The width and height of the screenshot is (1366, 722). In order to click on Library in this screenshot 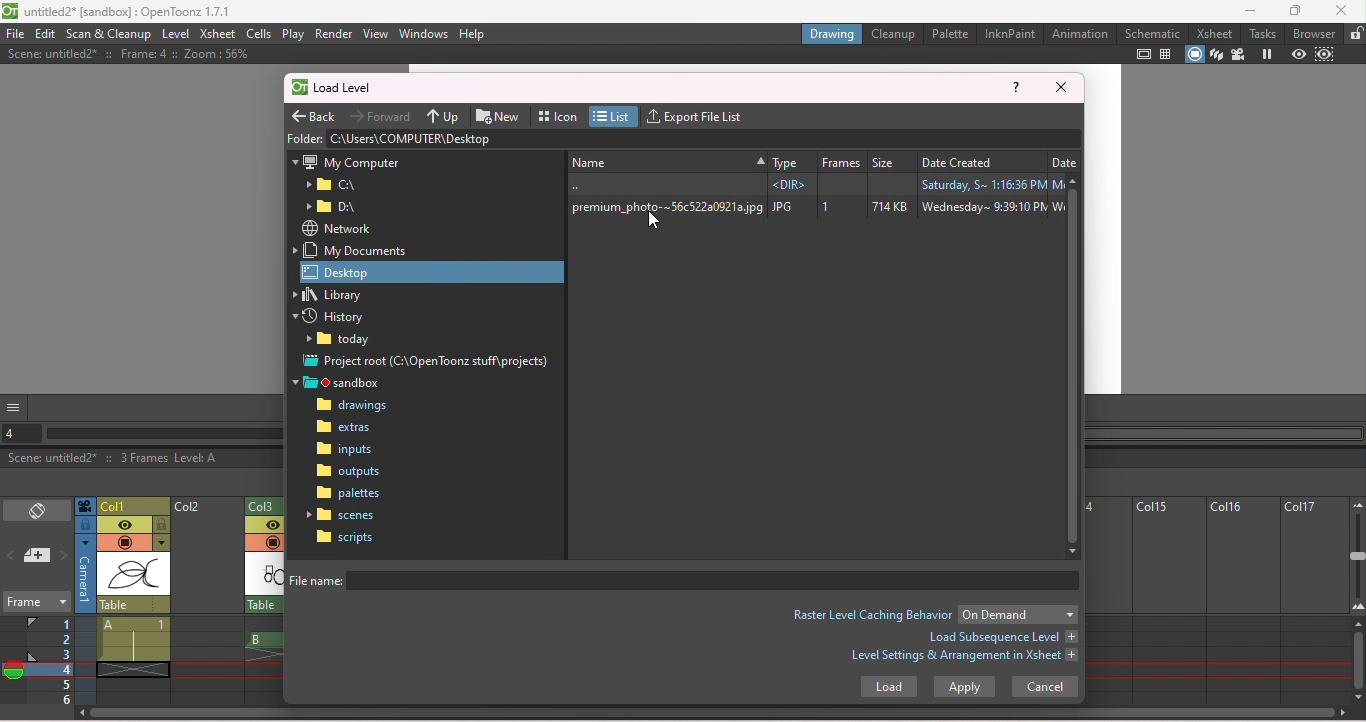, I will do `click(339, 295)`.